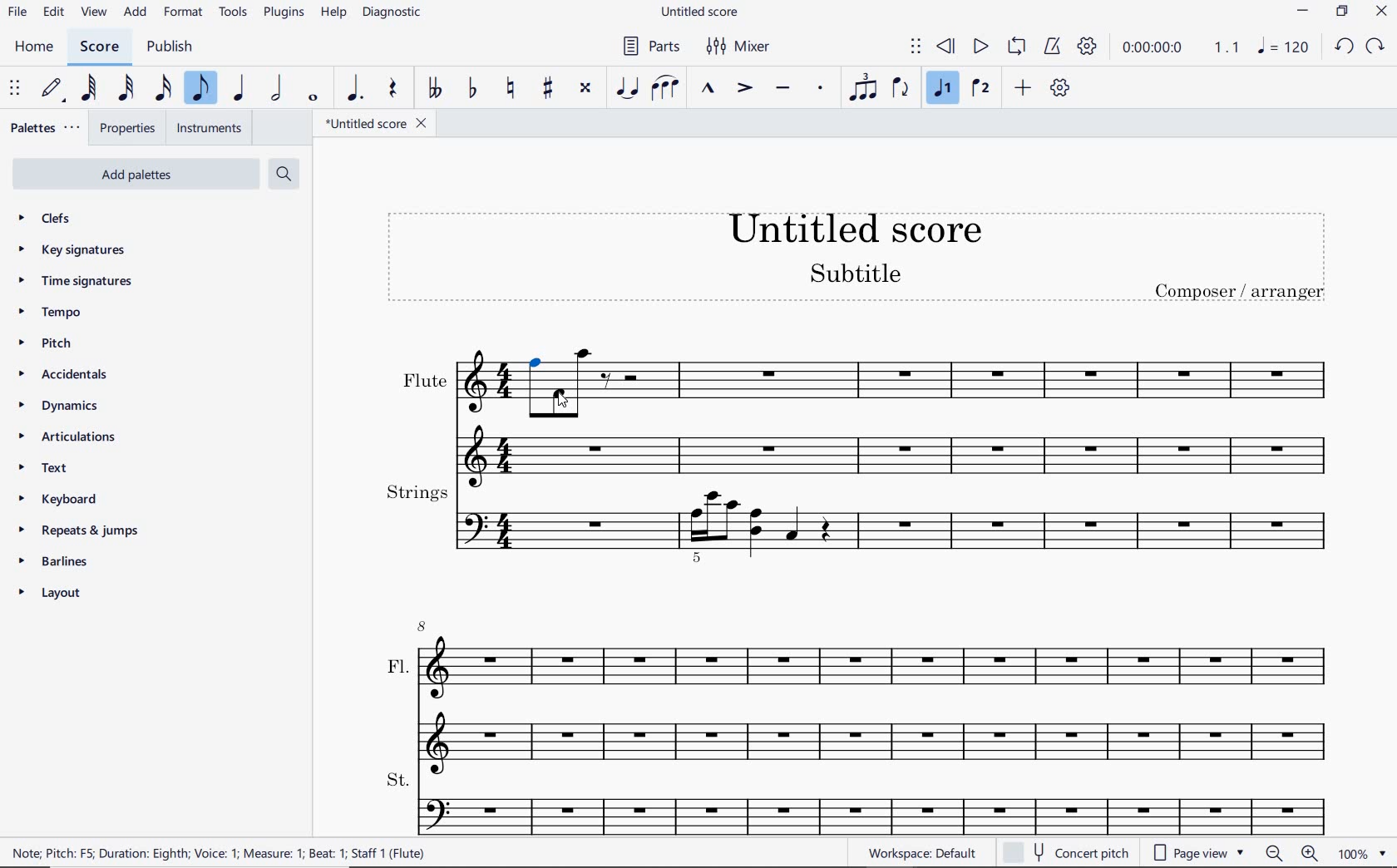  What do you see at coordinates (861, 86) in the screenshot?
I see `TUPLET` at bounding box center [861, 86].